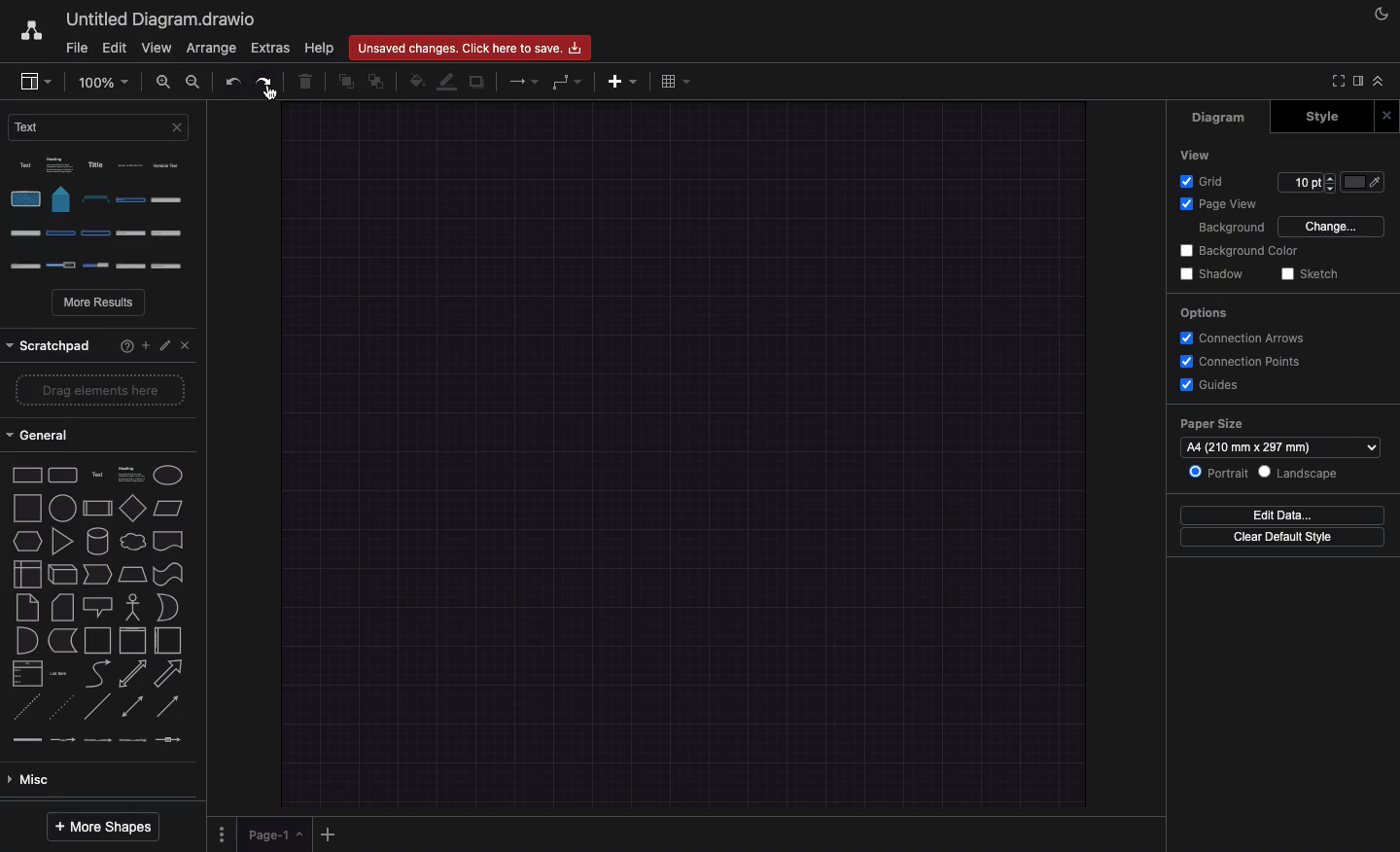 The width and height of the screenshot is (1400, 852). Describe the element at coordinates (99, 605) in the screenshot. I see `Shapes` at that location.